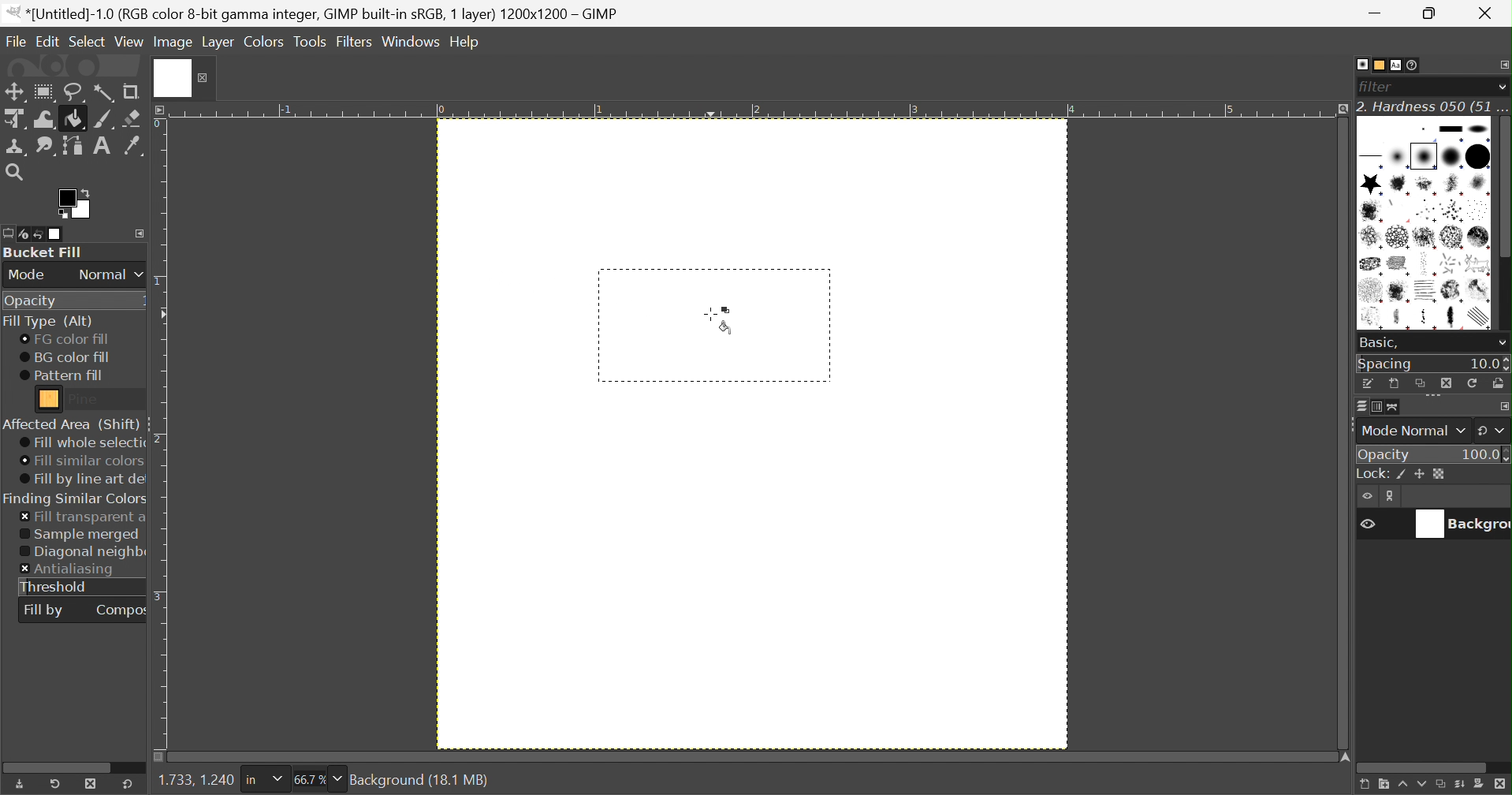 The image size is (1512, 795). I want to click on Create a new brush, so click(1394, 384).